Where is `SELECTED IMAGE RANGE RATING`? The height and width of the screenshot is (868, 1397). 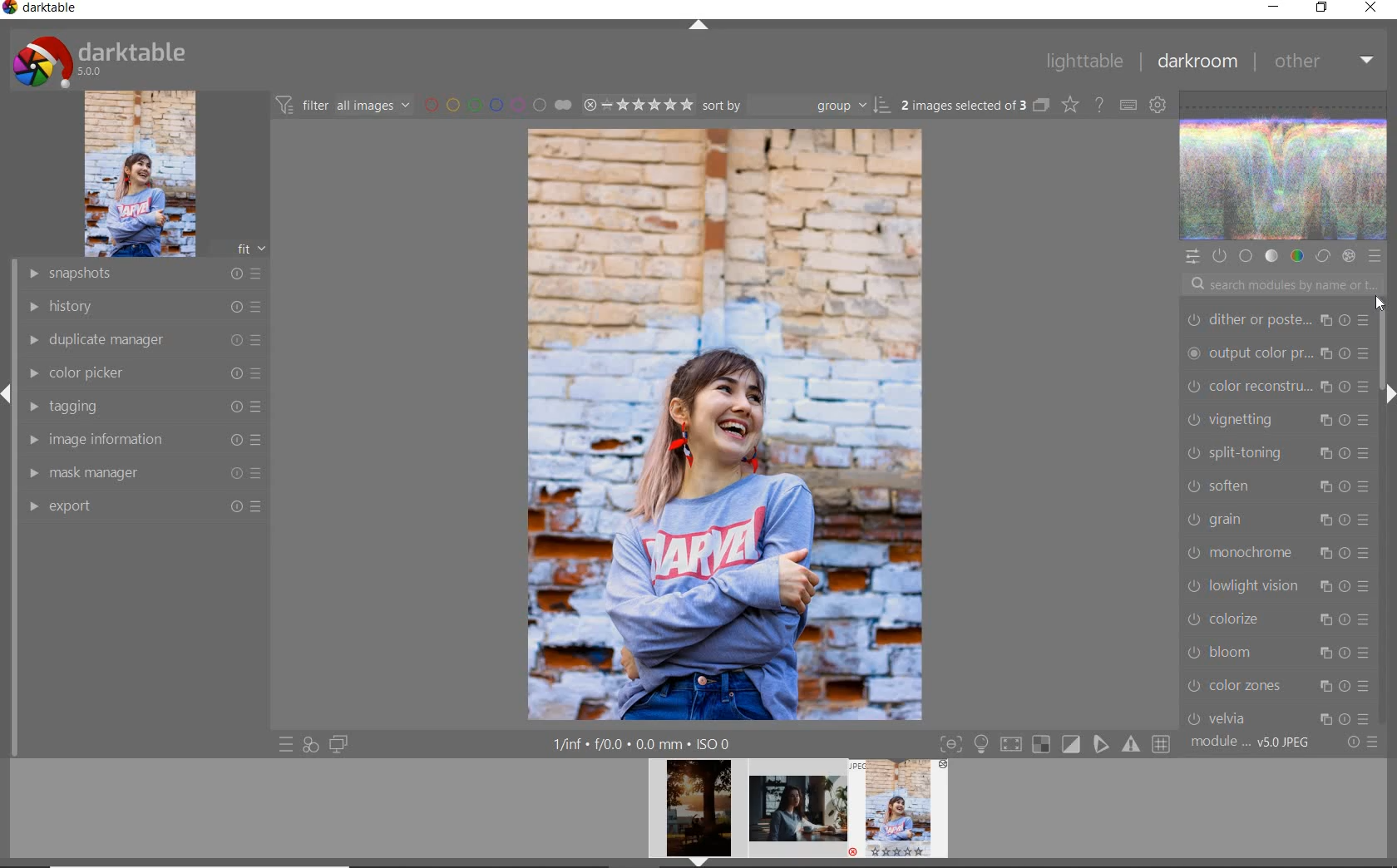
SELECTED IMAGE RANGE RATING is located at coordinates (638, 103).